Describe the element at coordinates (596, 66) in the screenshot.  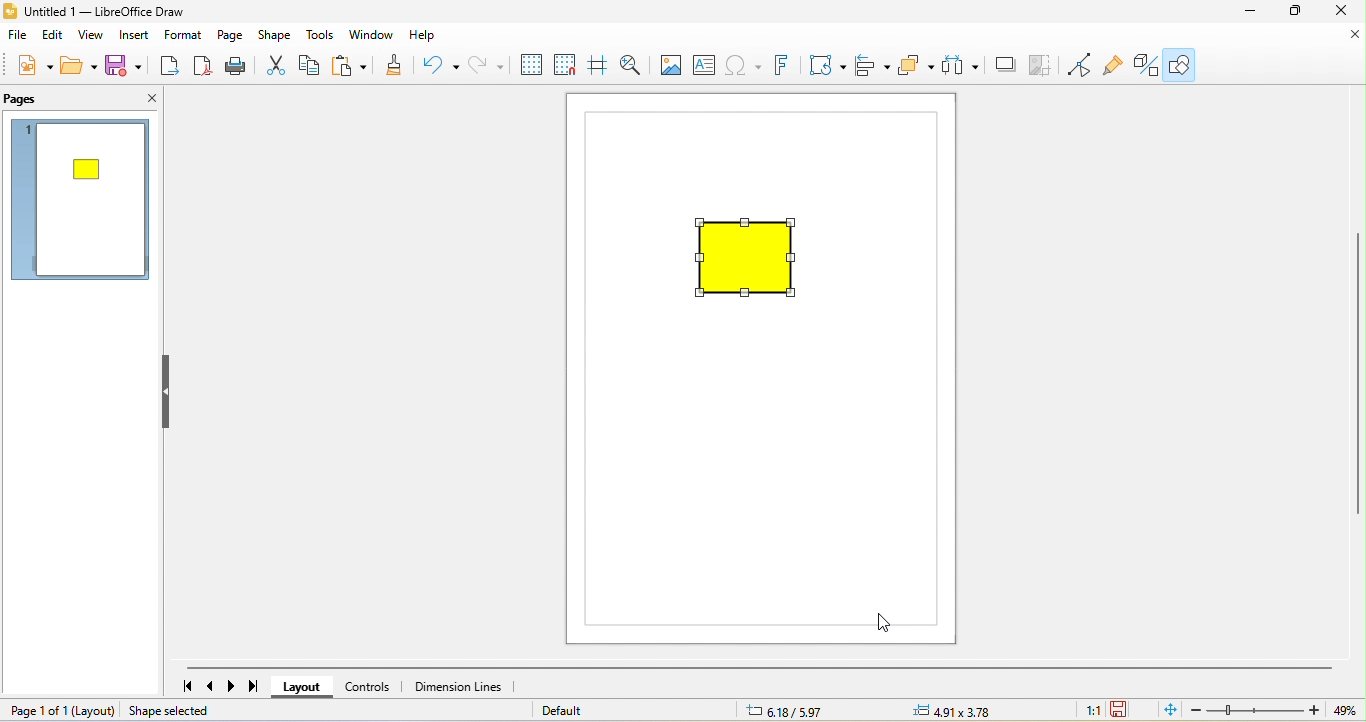
I see `helpline while moving` at that location.